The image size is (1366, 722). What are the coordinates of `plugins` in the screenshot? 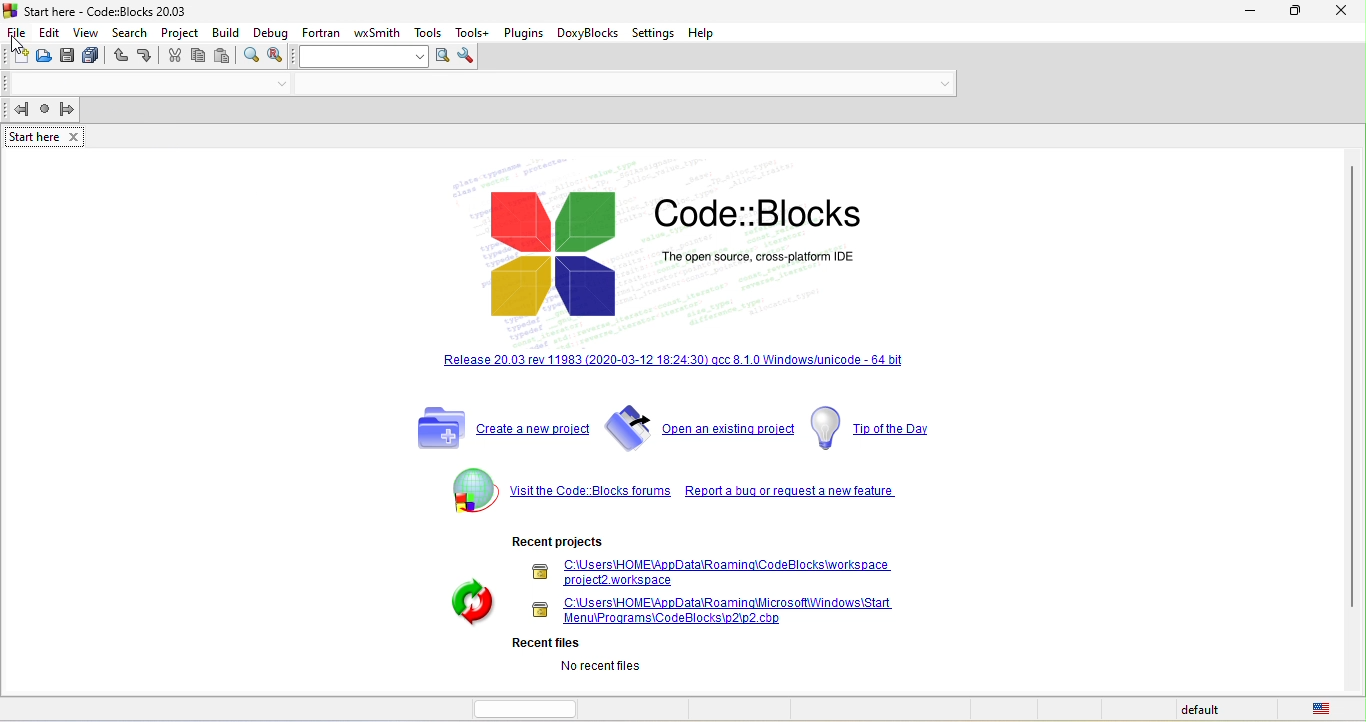 It's located at (523, 31).